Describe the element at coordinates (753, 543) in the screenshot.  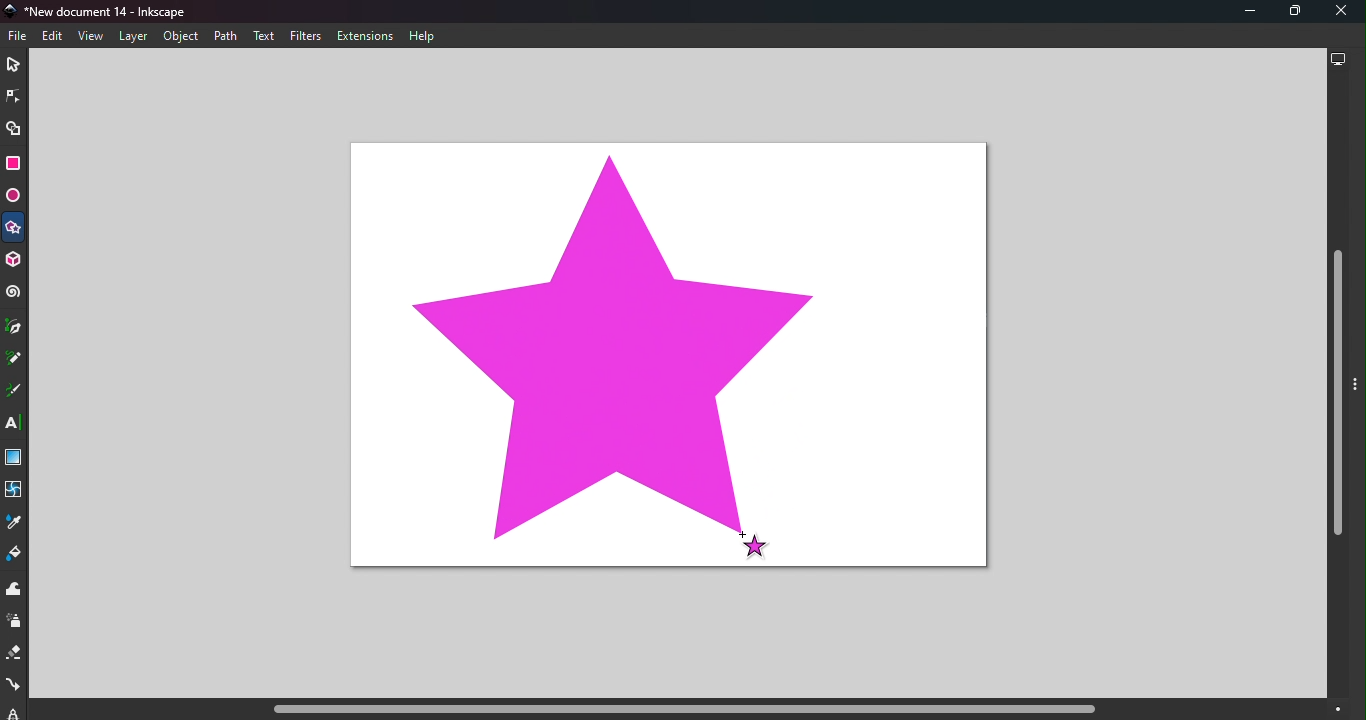
I see `Cursor` at that location.